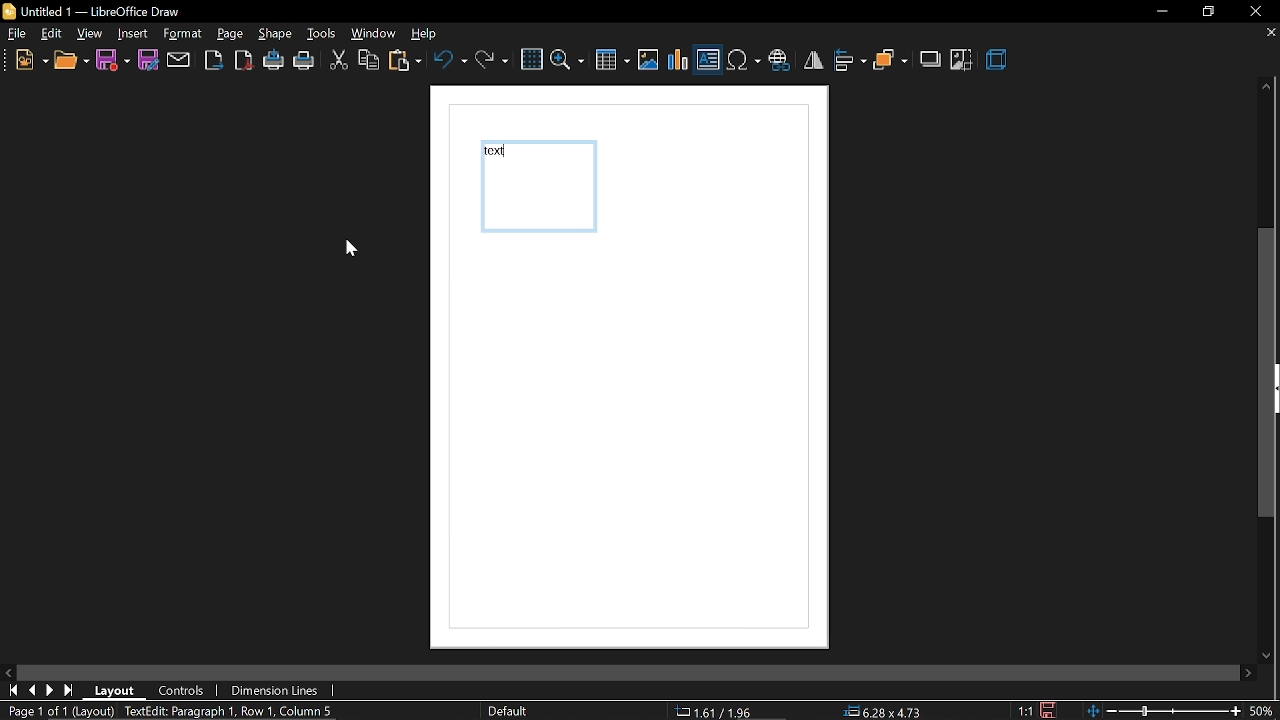  What do you see at coordinates (779, 62) in the screenshot?
I see `insert hyperlink` at bounding box center [779, 62].